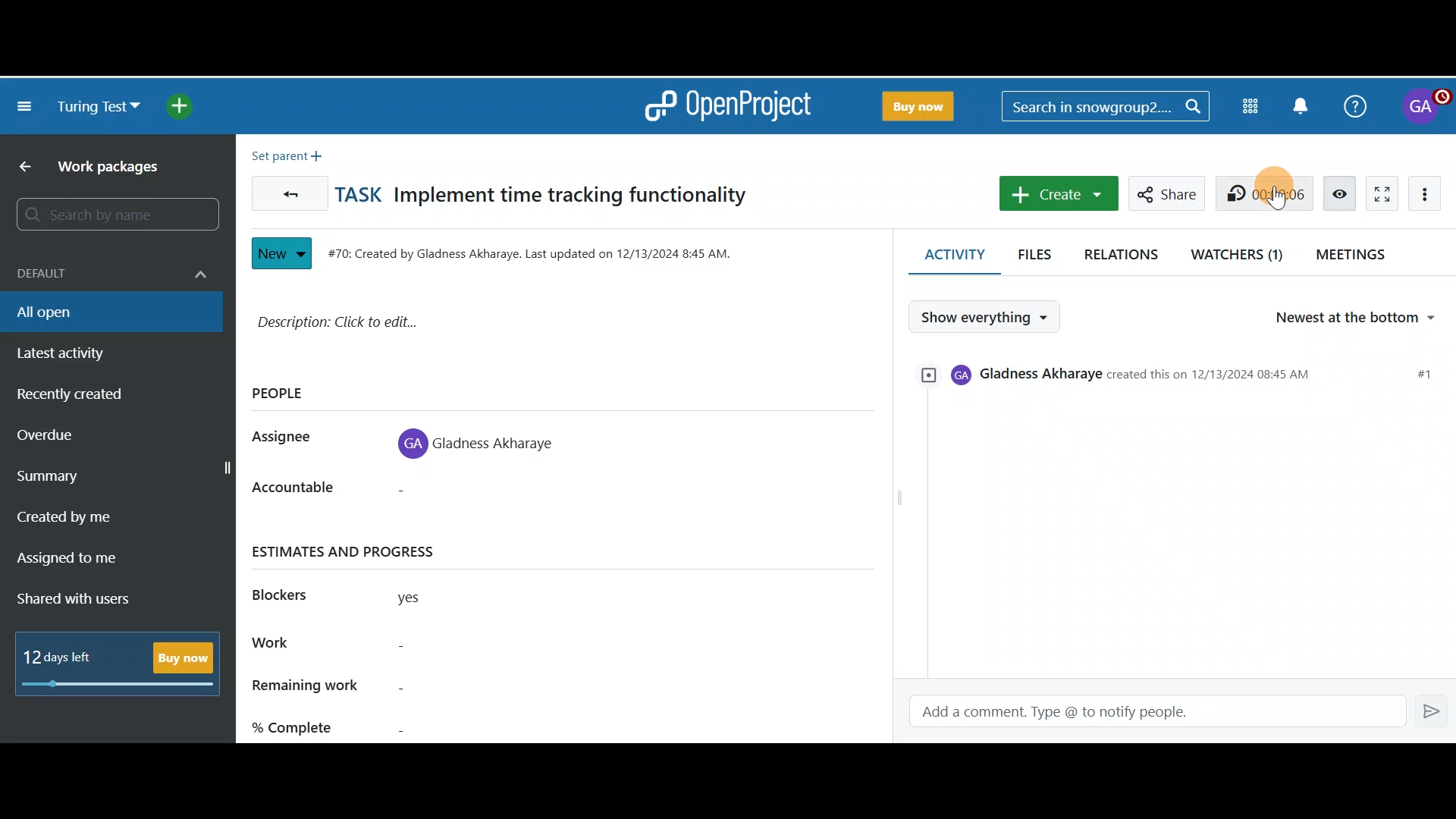 The image size is (1456, 819). I want to click on More, so click(1429, 192).